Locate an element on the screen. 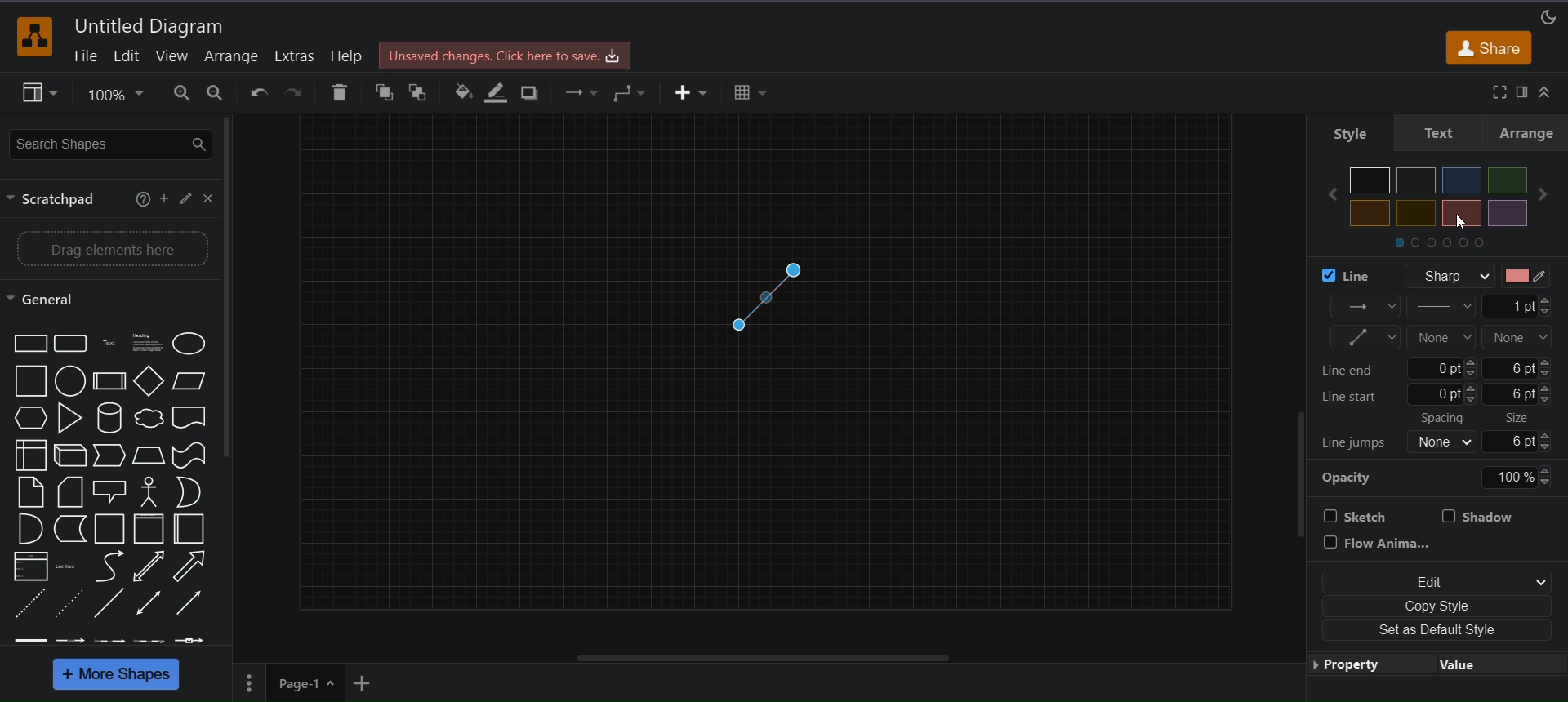  flow animation is located at coordinates (1379, 544).